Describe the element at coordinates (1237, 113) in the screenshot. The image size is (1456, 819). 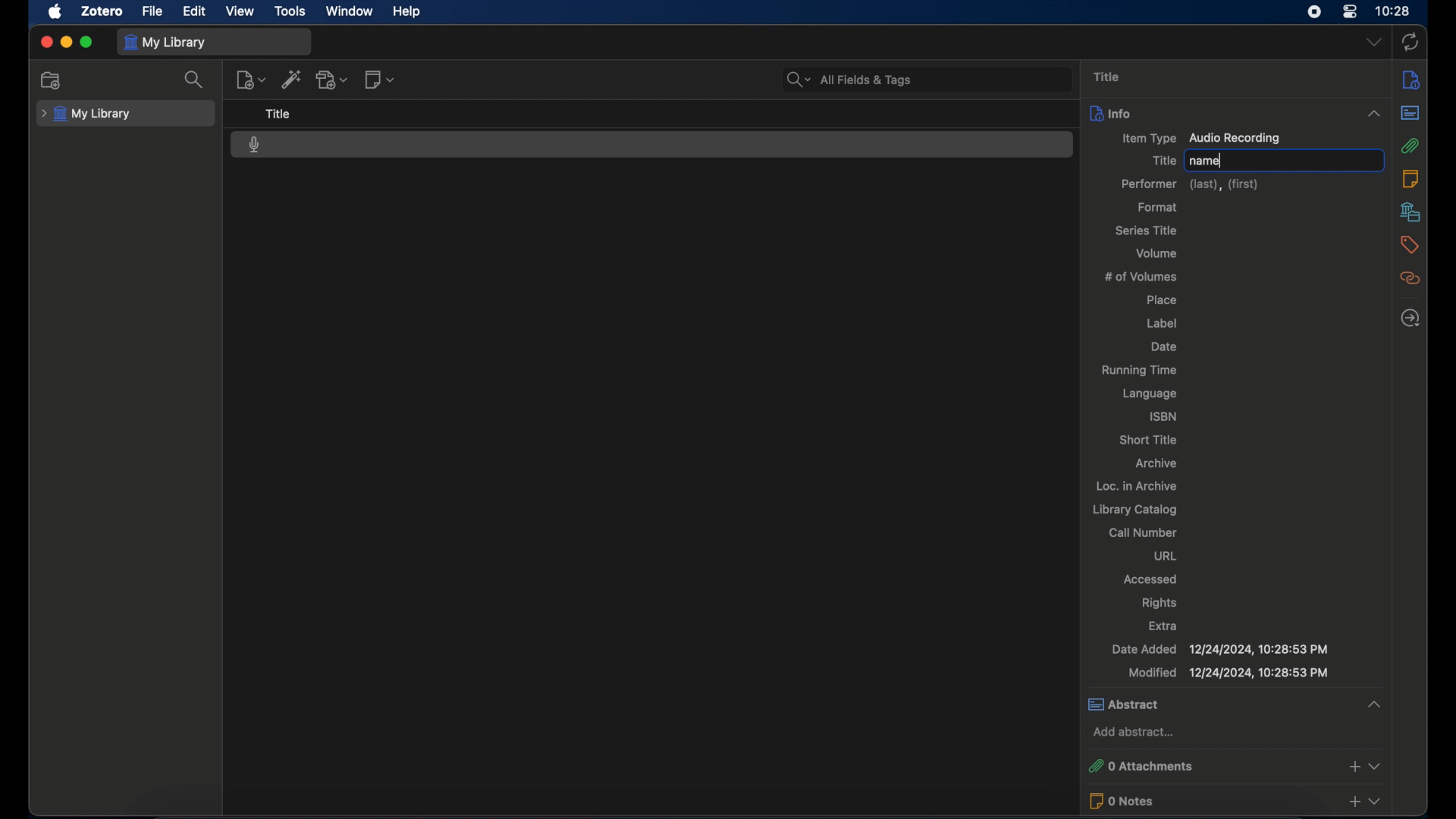
I see `info` at that location.